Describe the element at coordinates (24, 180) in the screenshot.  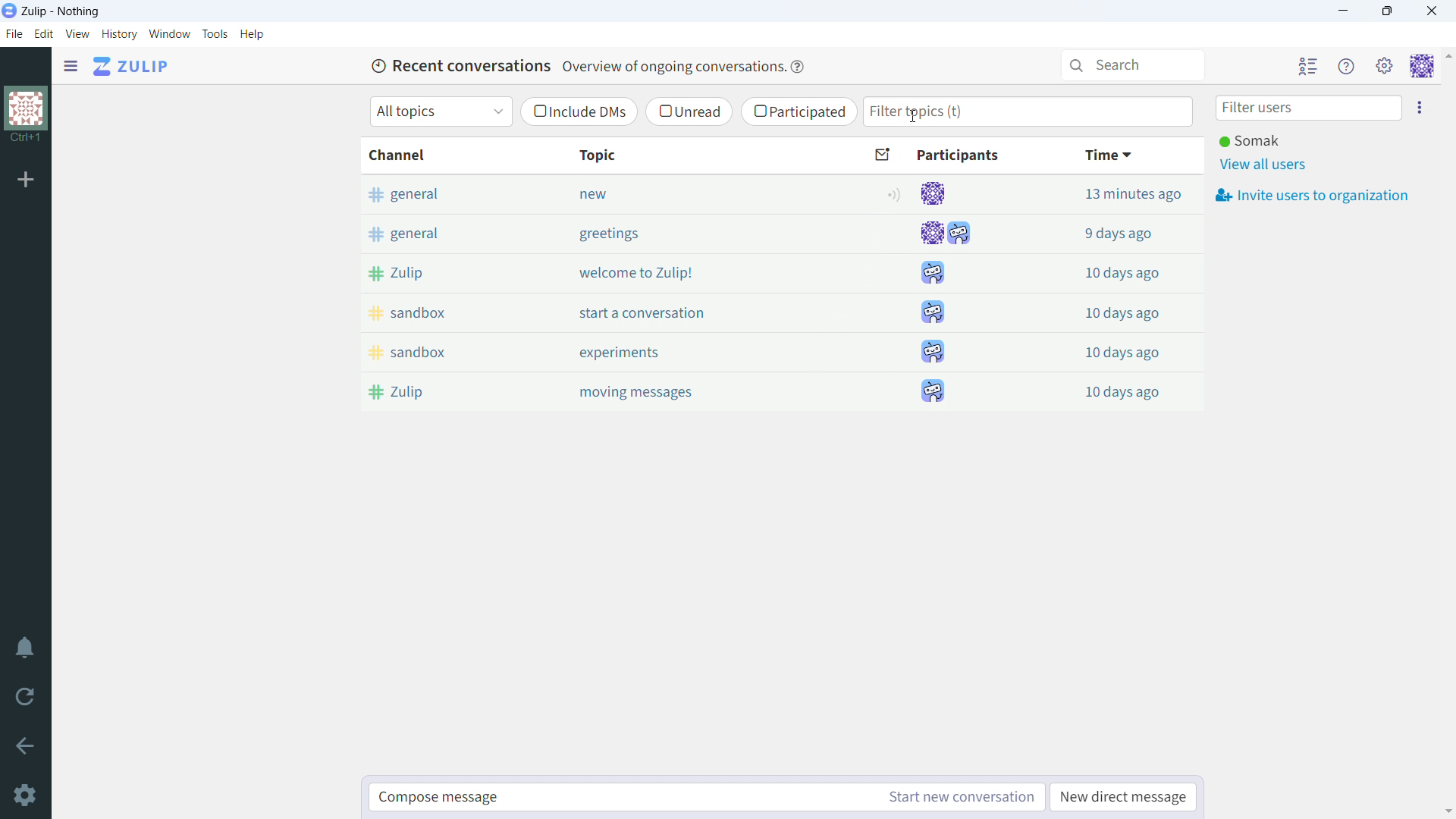
I see `add organization` at that location.